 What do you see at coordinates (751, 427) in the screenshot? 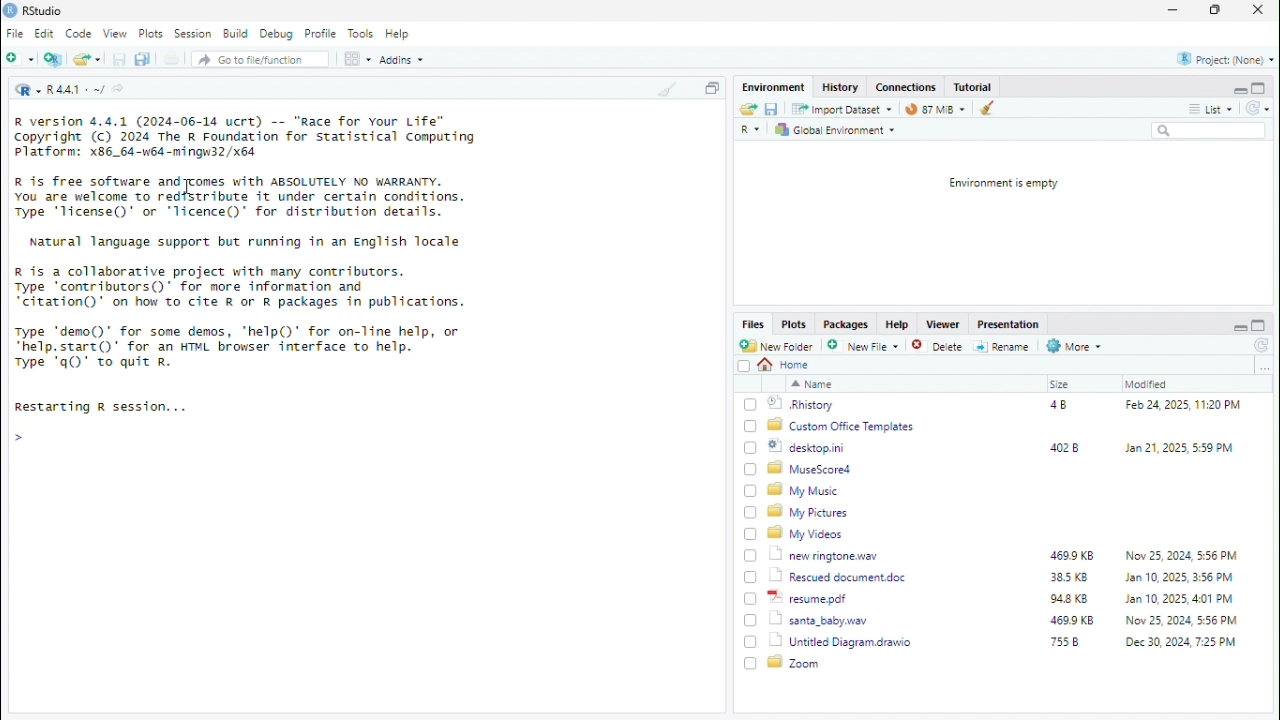
I see `Checkbox` at bounding box center [751, 427].